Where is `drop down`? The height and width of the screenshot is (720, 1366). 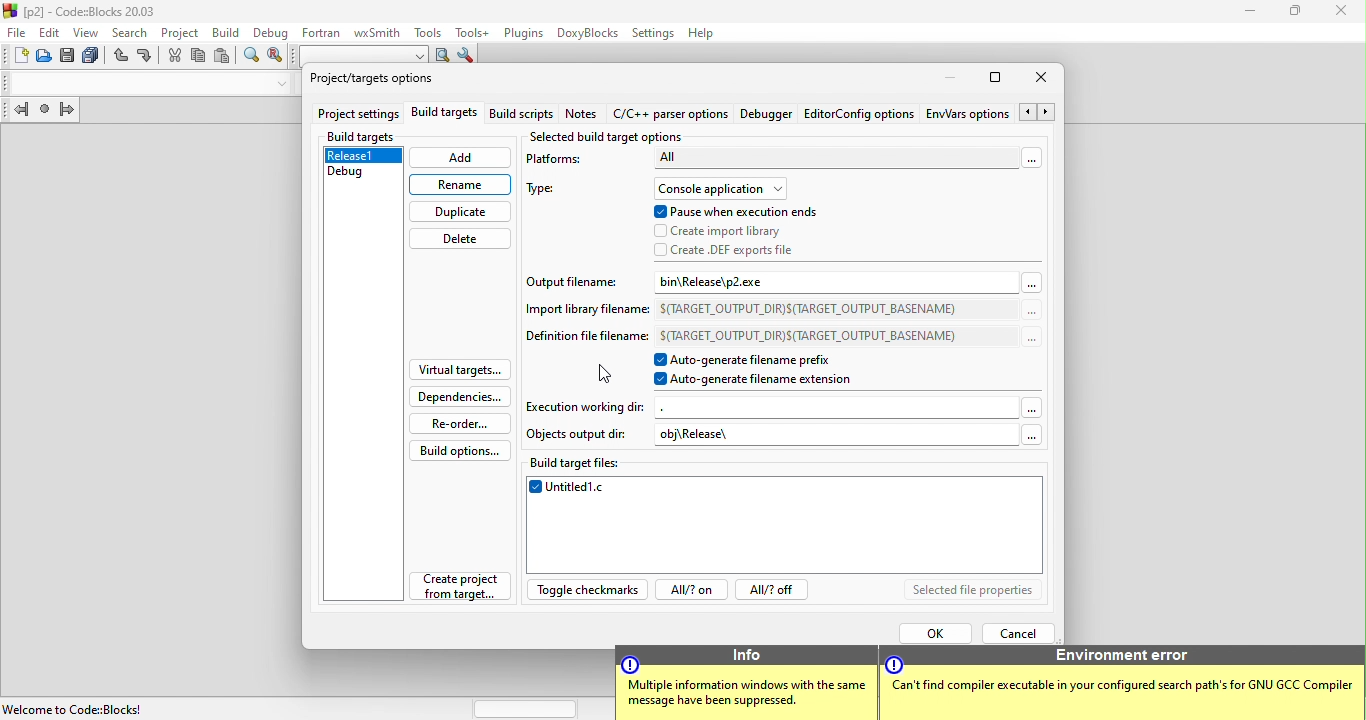
drop down is located at coordinates (278, 84).